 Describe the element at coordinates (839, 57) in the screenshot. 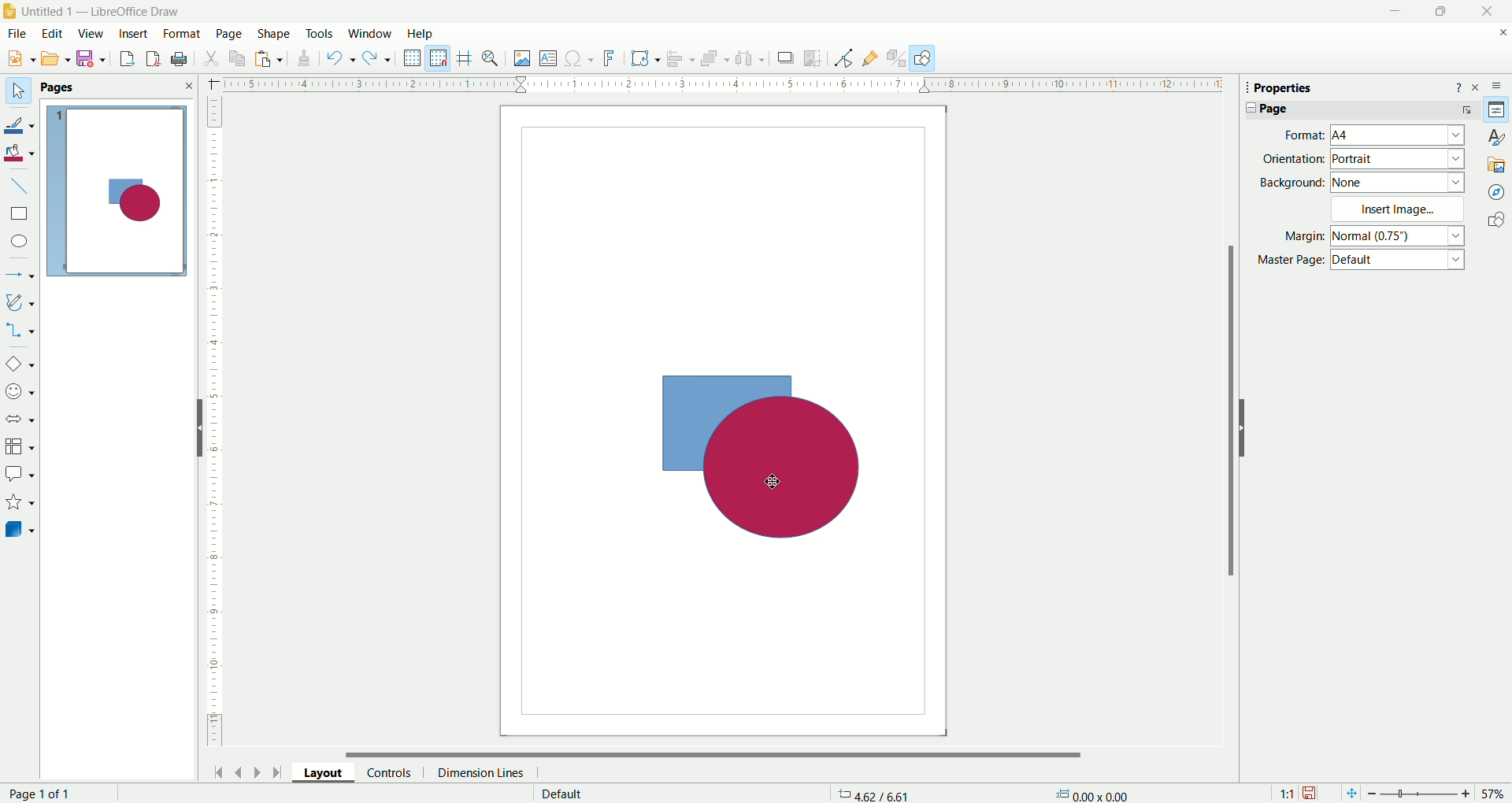

I see `point edit` at that location.